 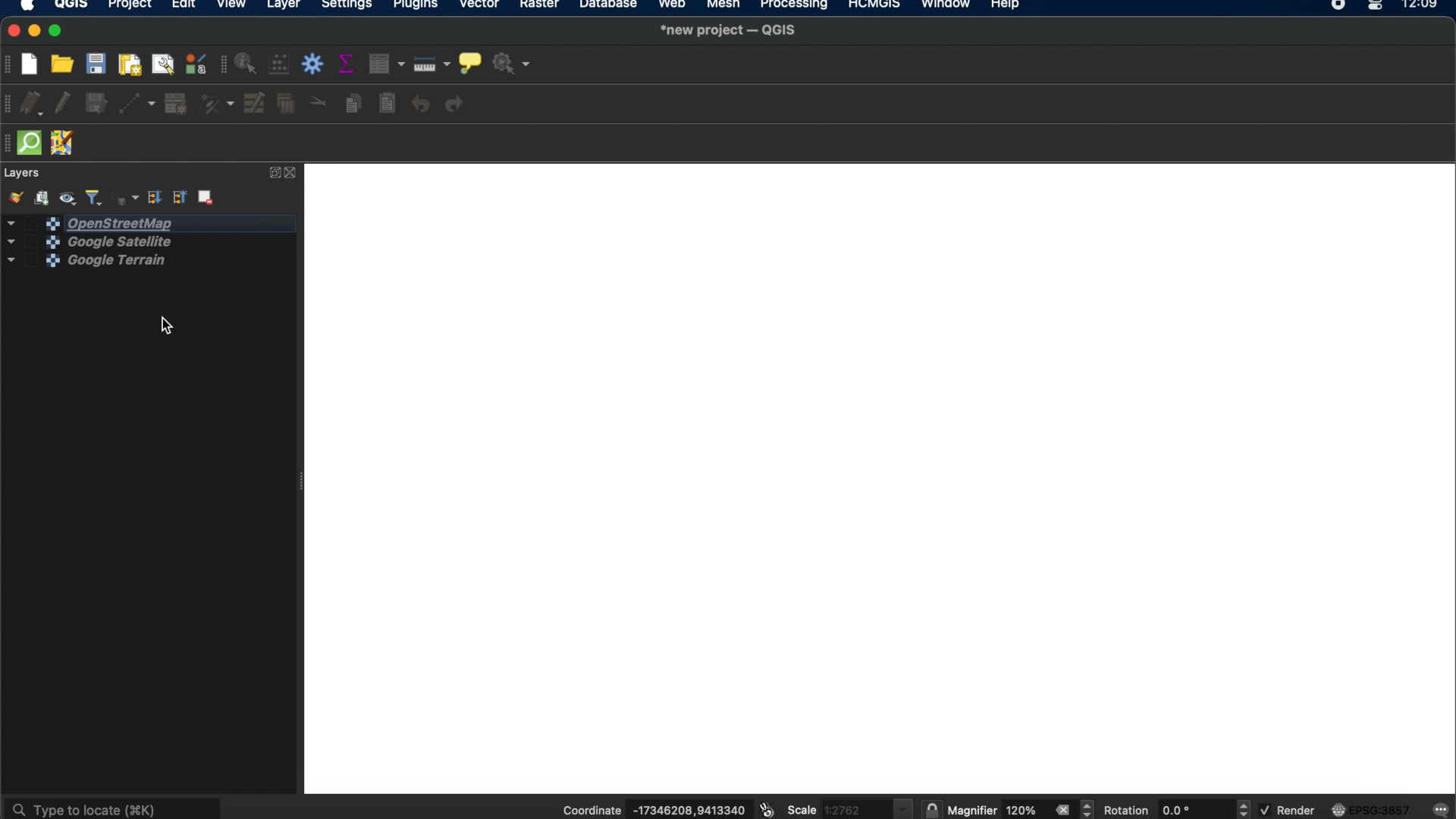 What do you see at coordinates (1008, 7) in the screenshot?
I see `help` at bounding box center [1008, 7].